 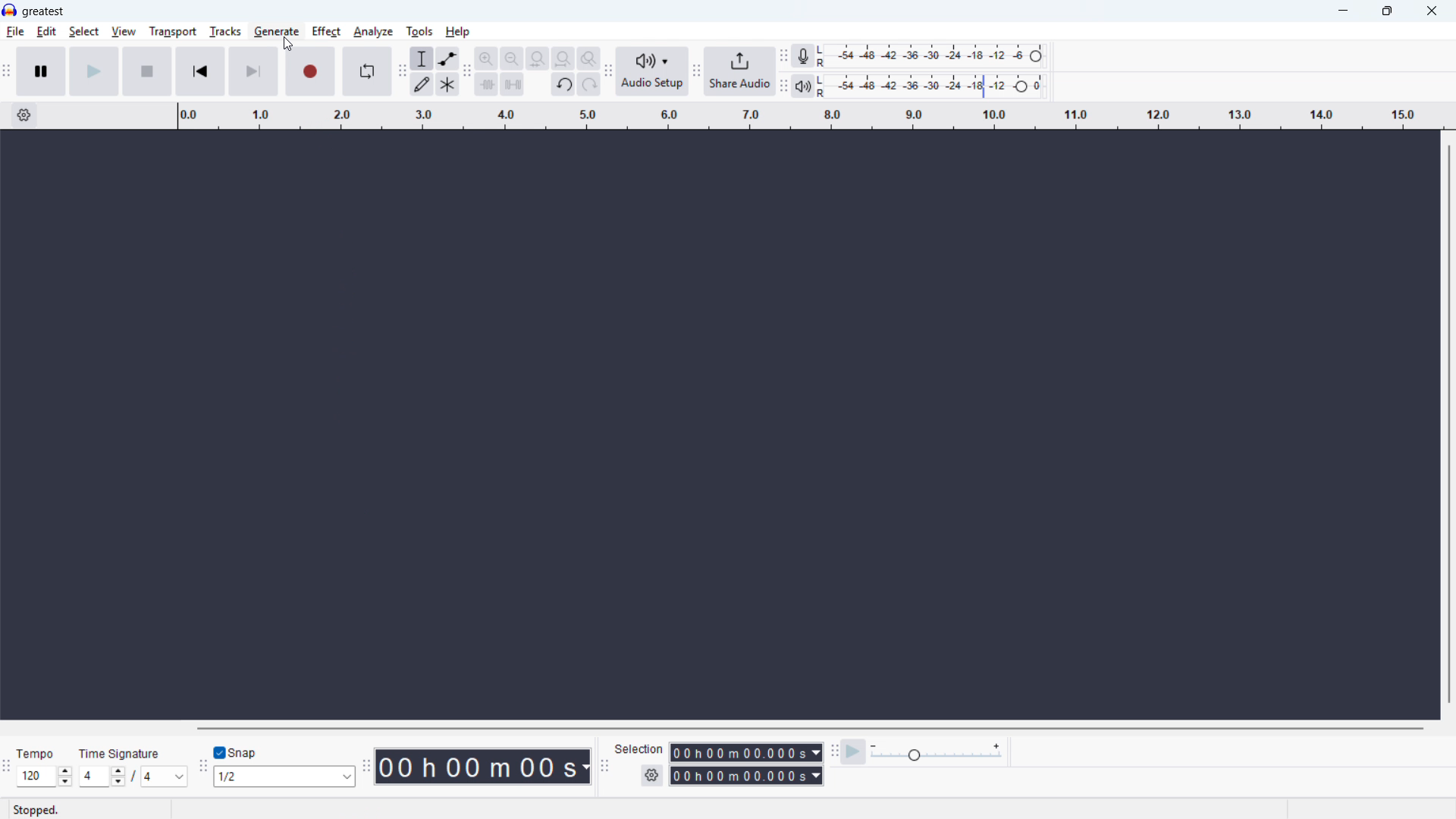 What do you see at coordinates (172, 31) in the screenshot?
I see `transport` at bounding box center [172, 31].